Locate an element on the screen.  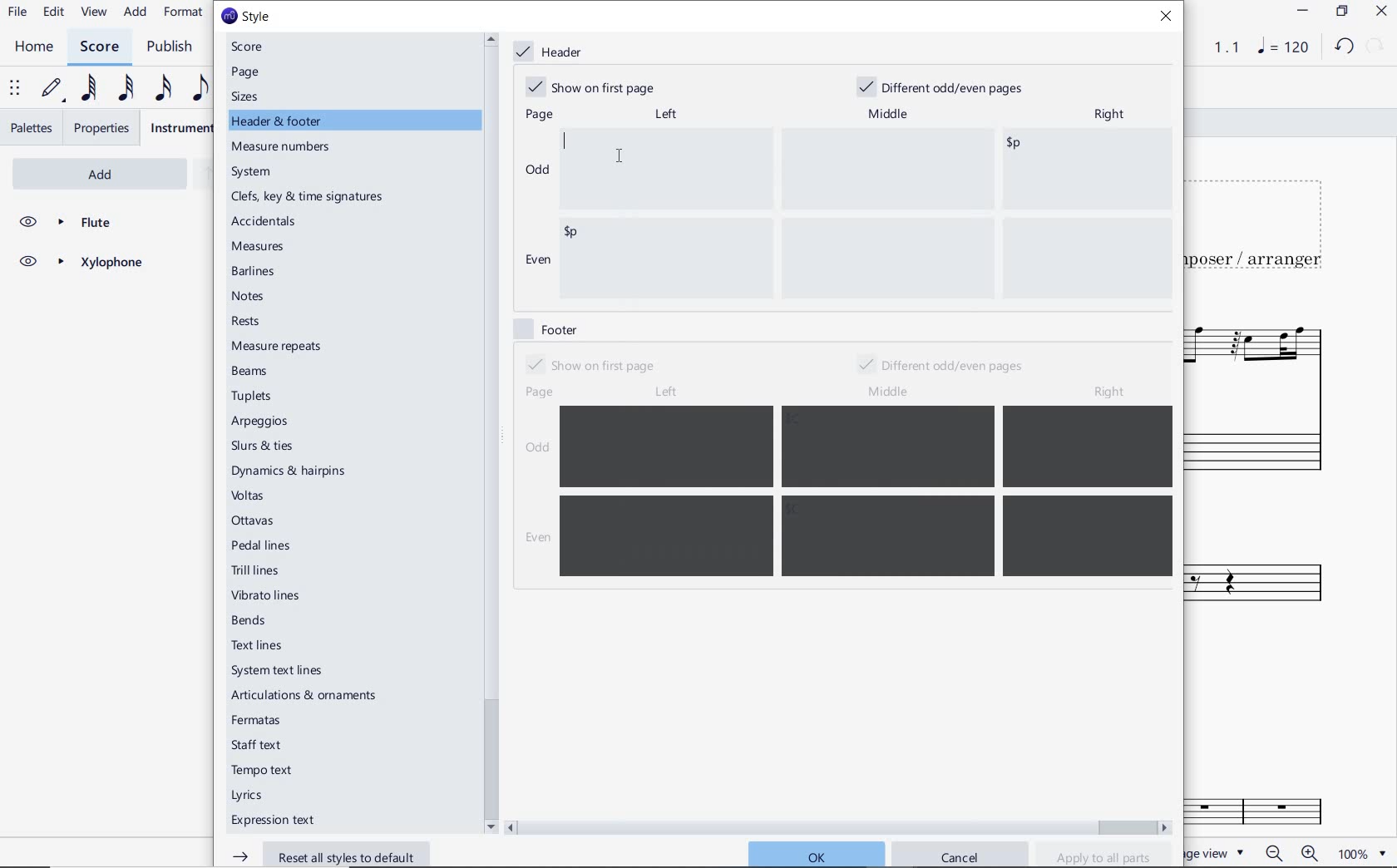
left is located at coordinates (664, 114).